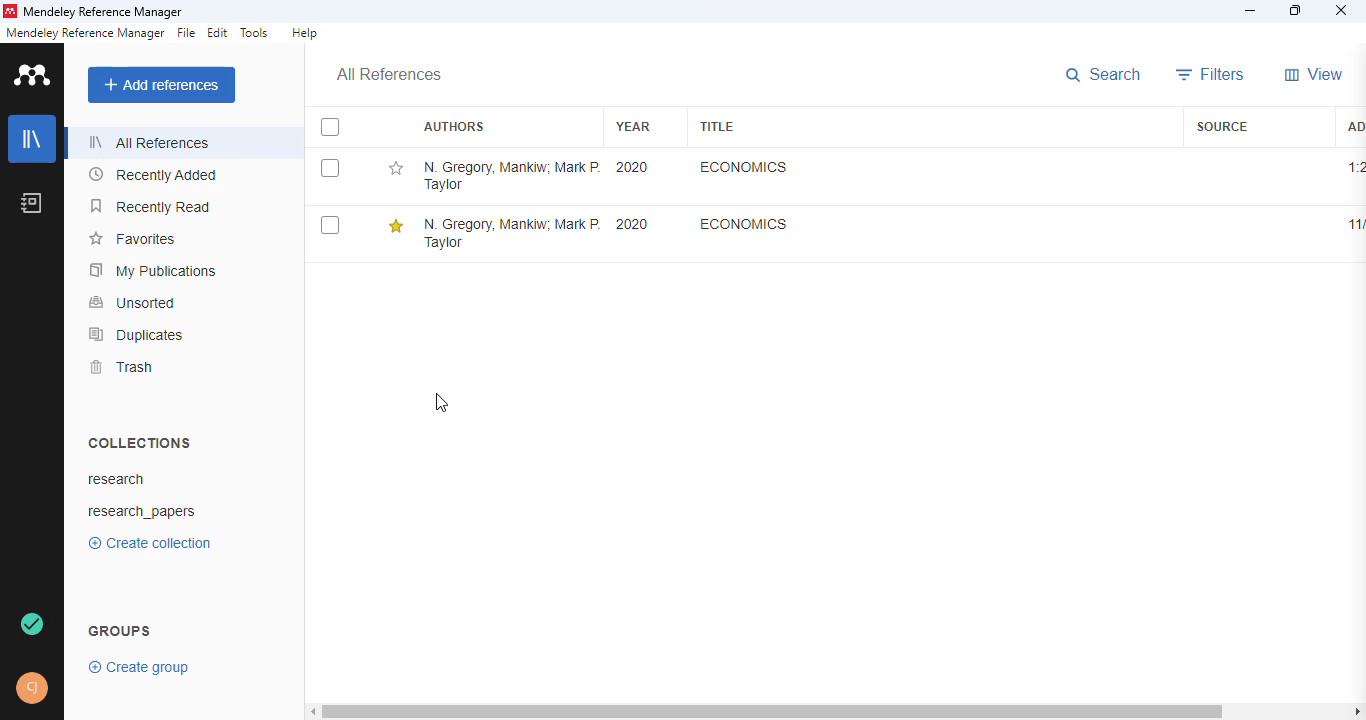 This screenshot has width=1366, height=720. Describe the element at coordinates (32, 75) in the screenshot. I see `logo` at that location.